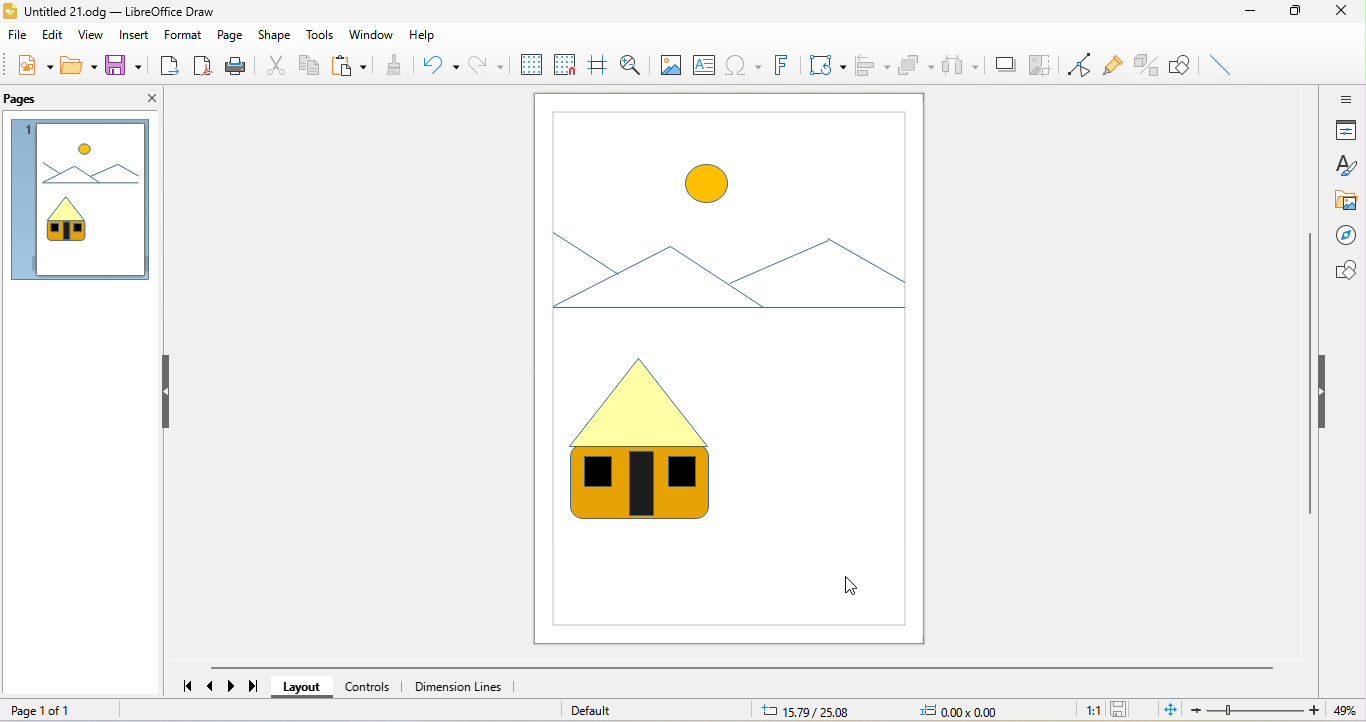 The image size is (1366, 722). Describe the element at coordinates (213, 686) in the screenshot. I see `previous` at that location.